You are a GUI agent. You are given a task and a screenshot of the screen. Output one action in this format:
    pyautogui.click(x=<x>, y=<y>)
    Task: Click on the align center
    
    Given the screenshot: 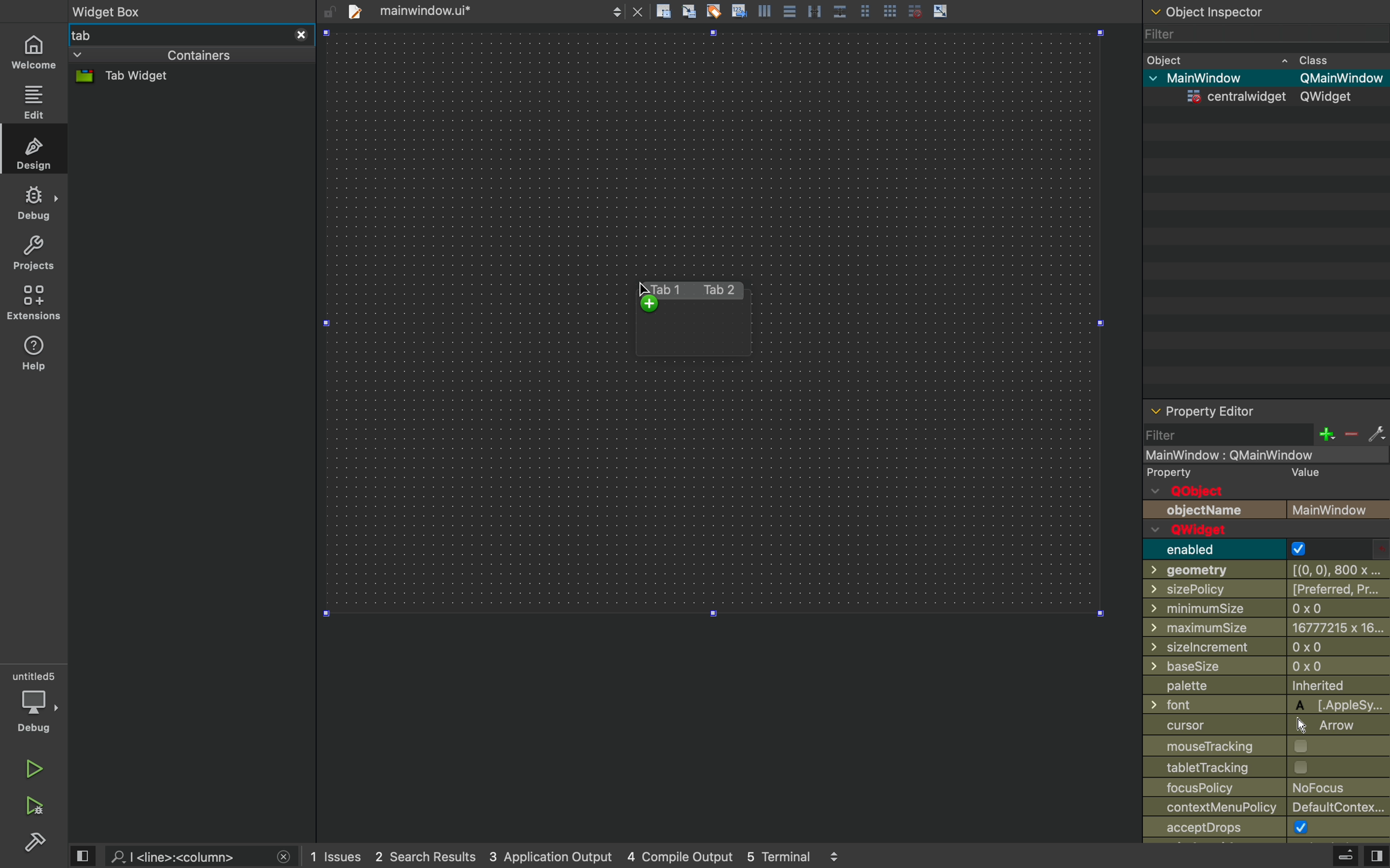 What is the action you would take?
    pyautogui.click(x=788, y=10)
    